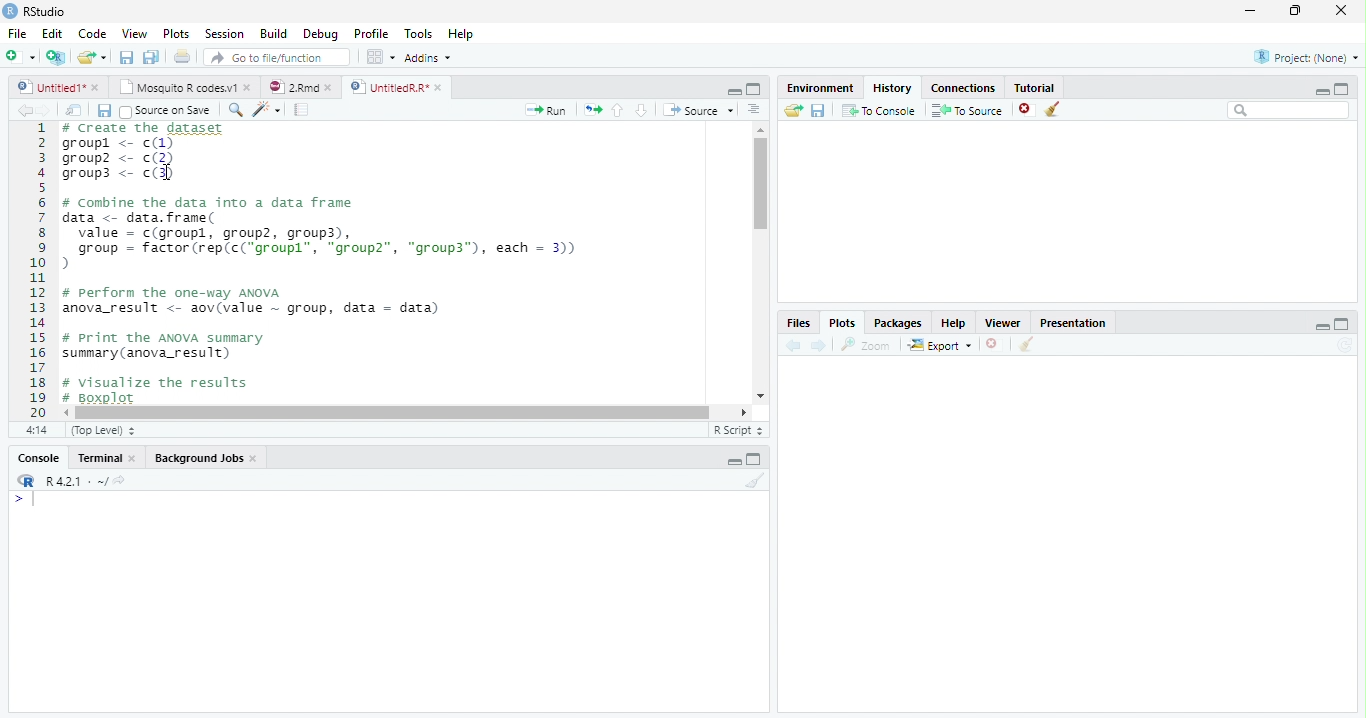 The image size is (1366, 718). What do you see at coordinates (277, 34) in the screenshot?
I see `Build` at bounding box center [277, 34].